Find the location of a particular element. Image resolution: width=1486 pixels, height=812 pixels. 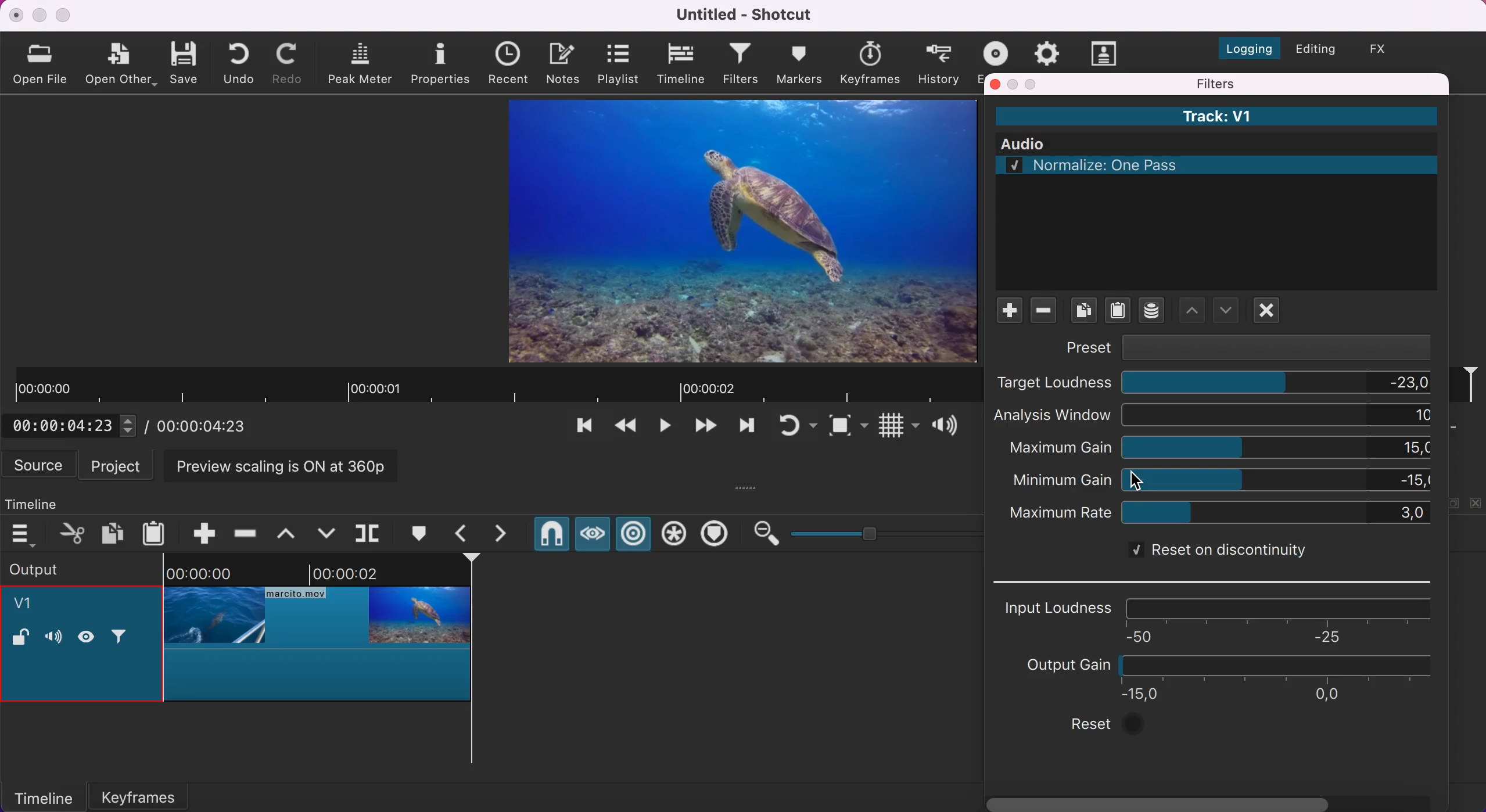

preview scaling is on at 360p is located at coordinates (288, 465).